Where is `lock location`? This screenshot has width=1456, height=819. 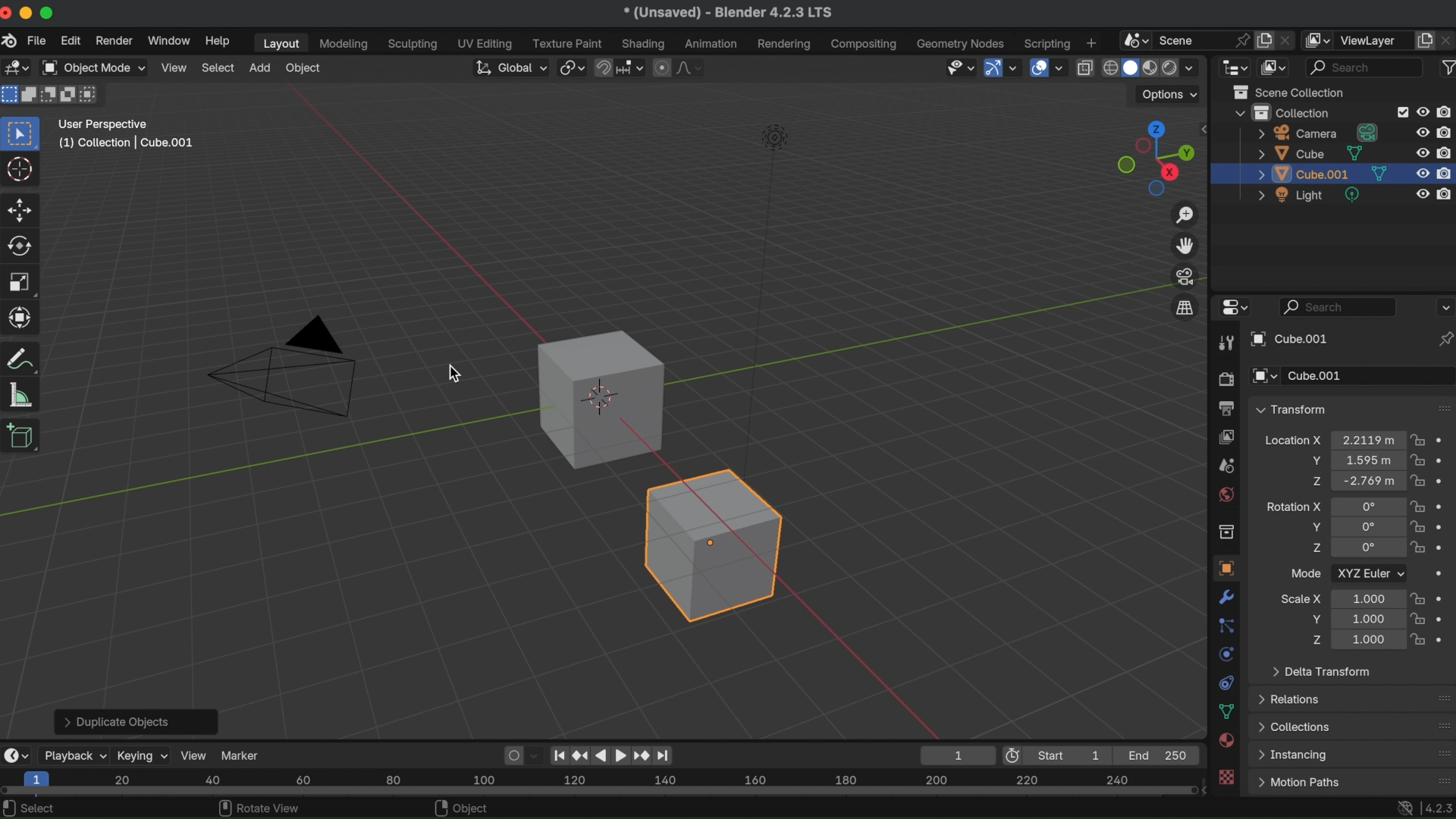 lock location is located at coordinates (1418, 442).